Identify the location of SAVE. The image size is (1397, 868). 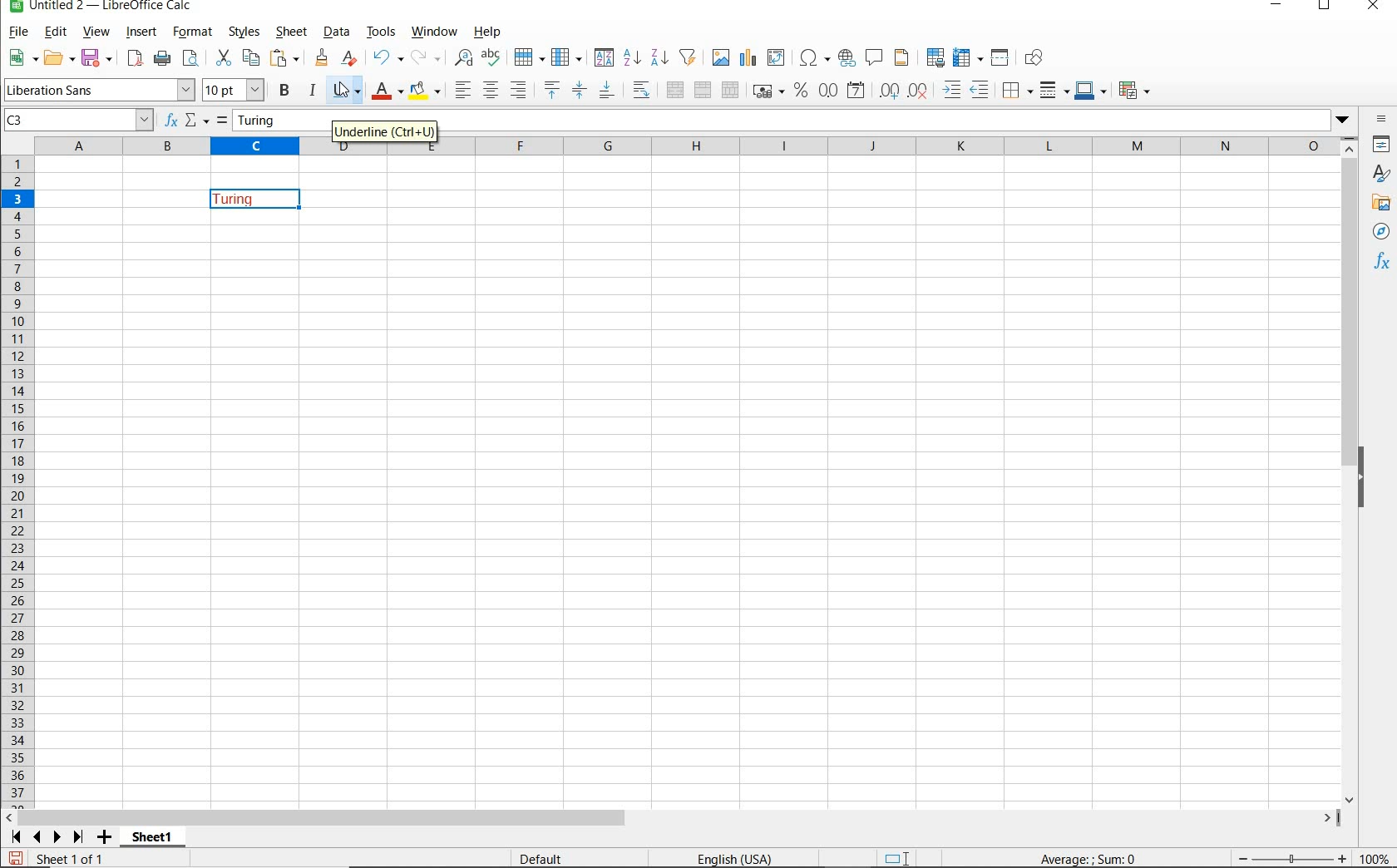
(96, 57).